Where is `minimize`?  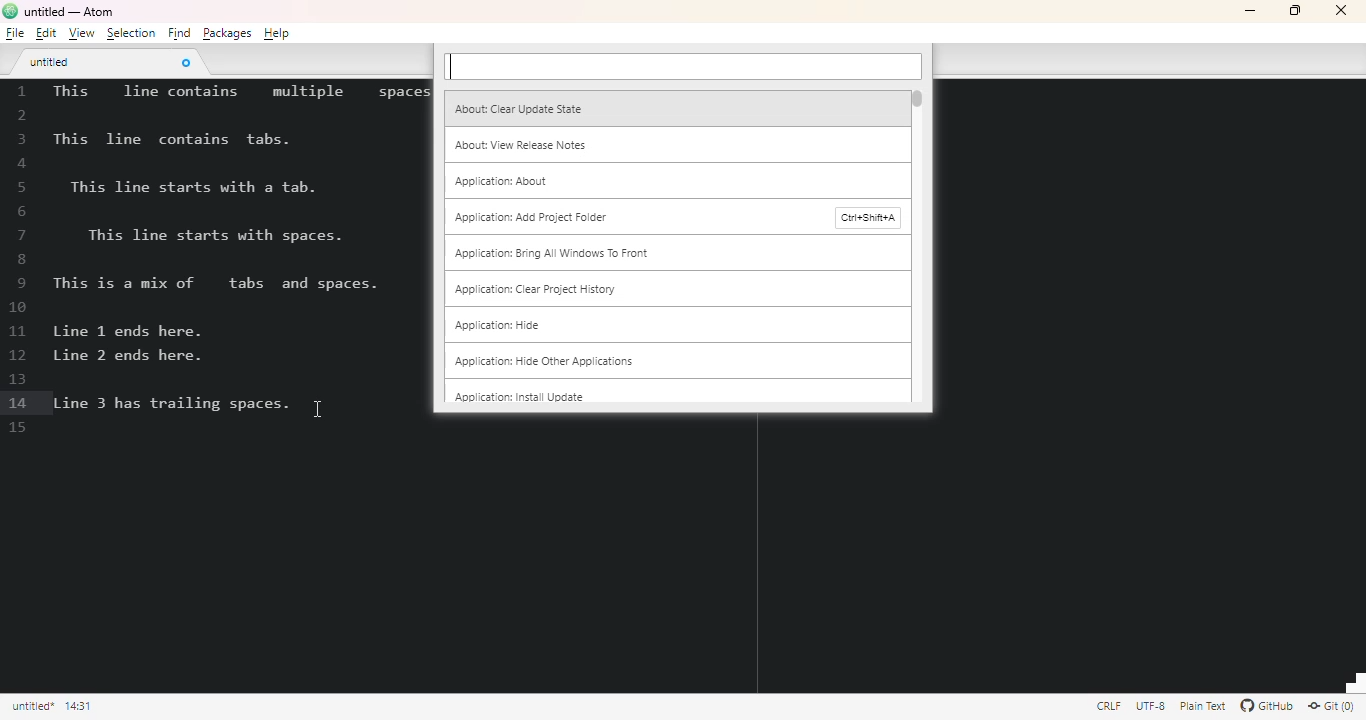 minimize is located at coordinates (1250, 11).